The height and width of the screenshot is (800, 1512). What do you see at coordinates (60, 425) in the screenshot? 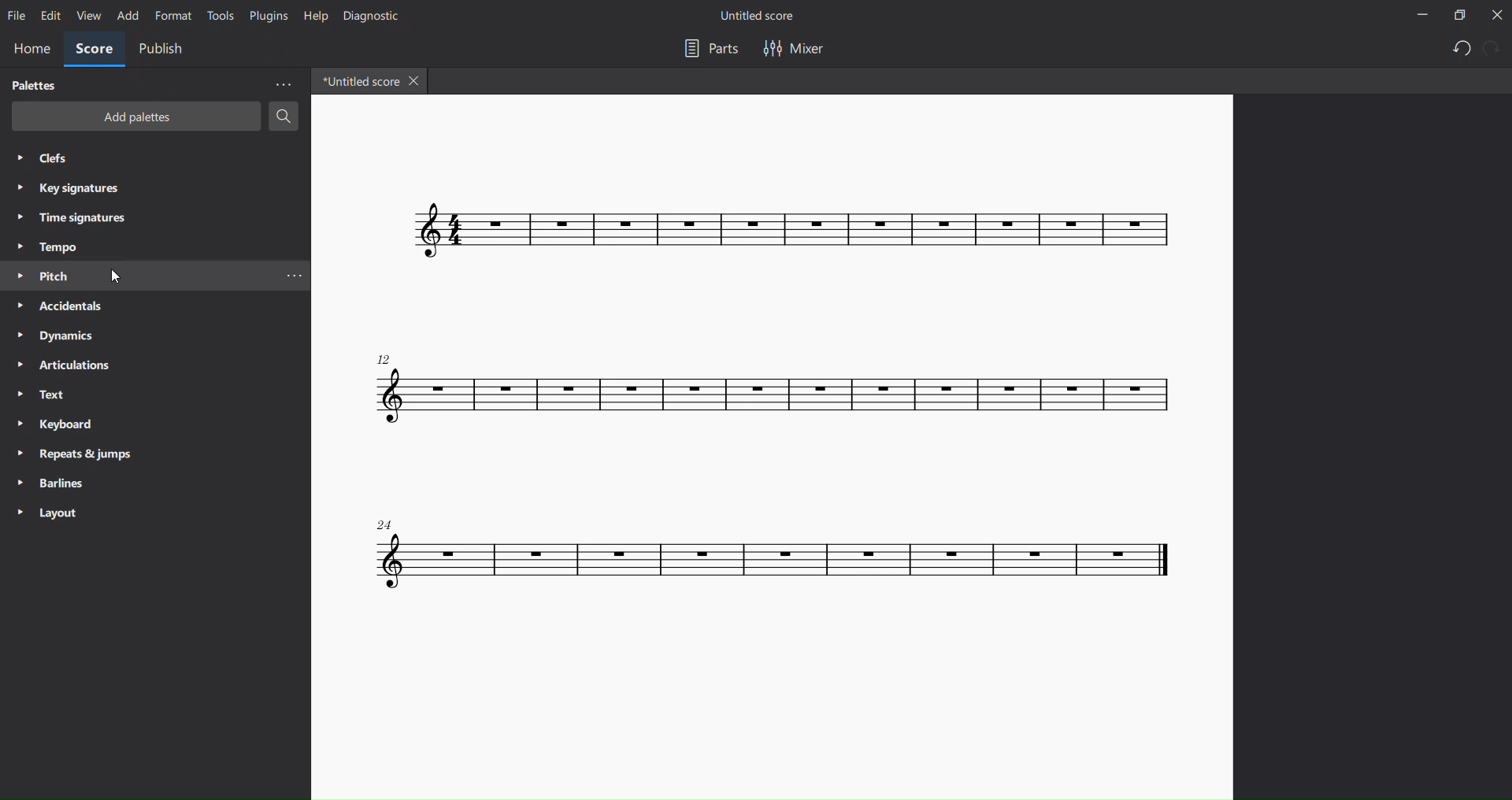
I see `keyboard` at bounding box center [60, 425].